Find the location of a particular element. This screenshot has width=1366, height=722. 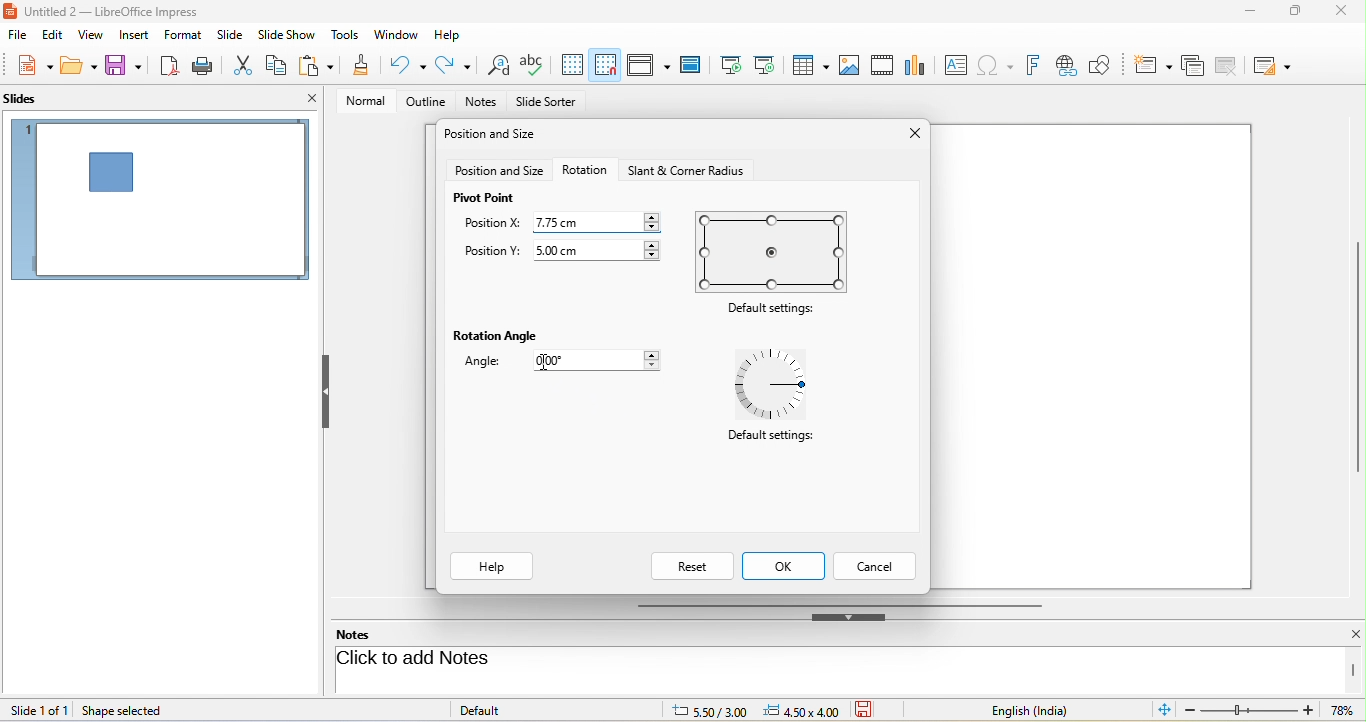

slides is located at coordinates (31, 100).